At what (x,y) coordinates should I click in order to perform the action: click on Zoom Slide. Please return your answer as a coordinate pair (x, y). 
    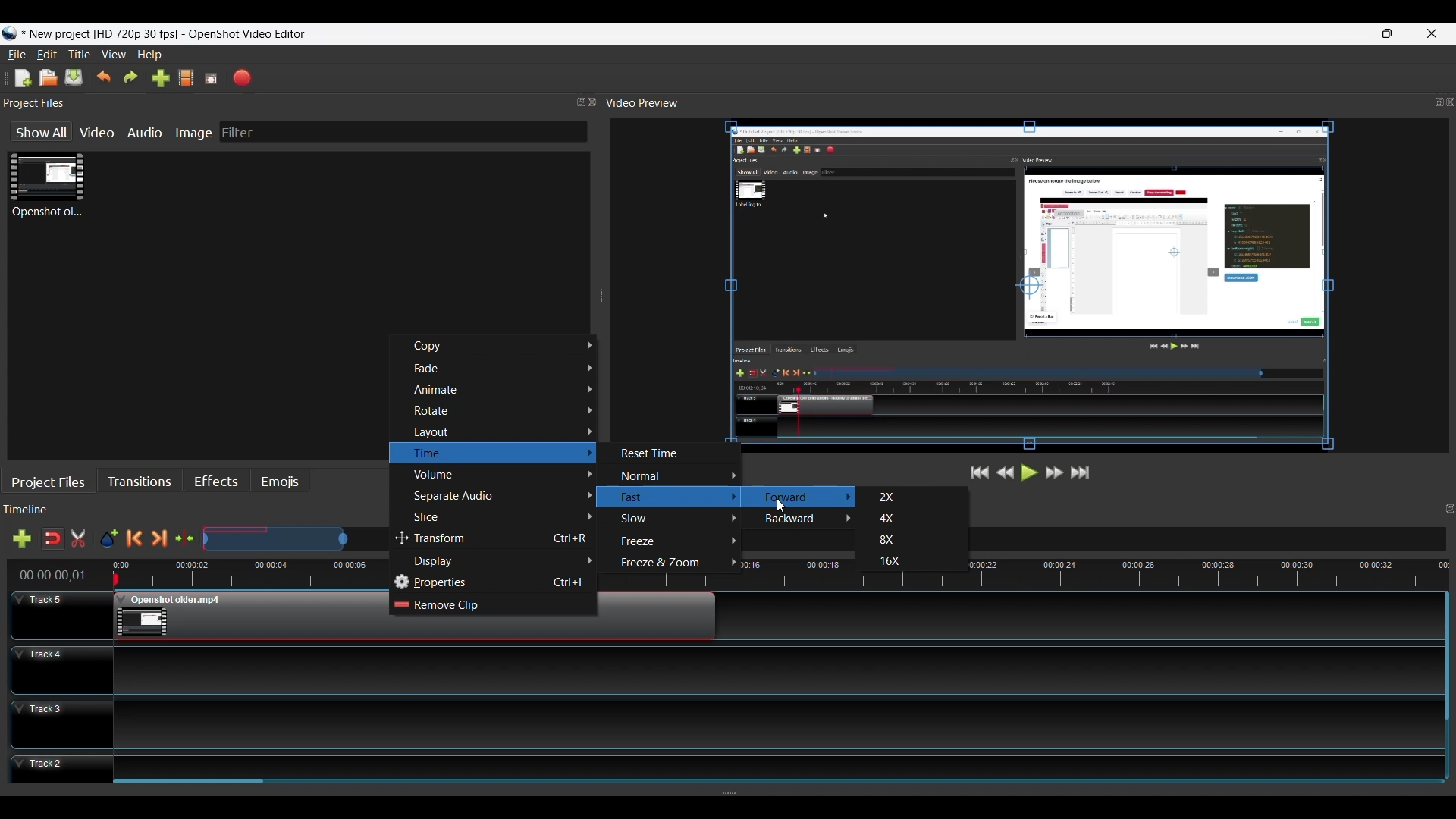
    Looking at the image, I should click on (295, 537).